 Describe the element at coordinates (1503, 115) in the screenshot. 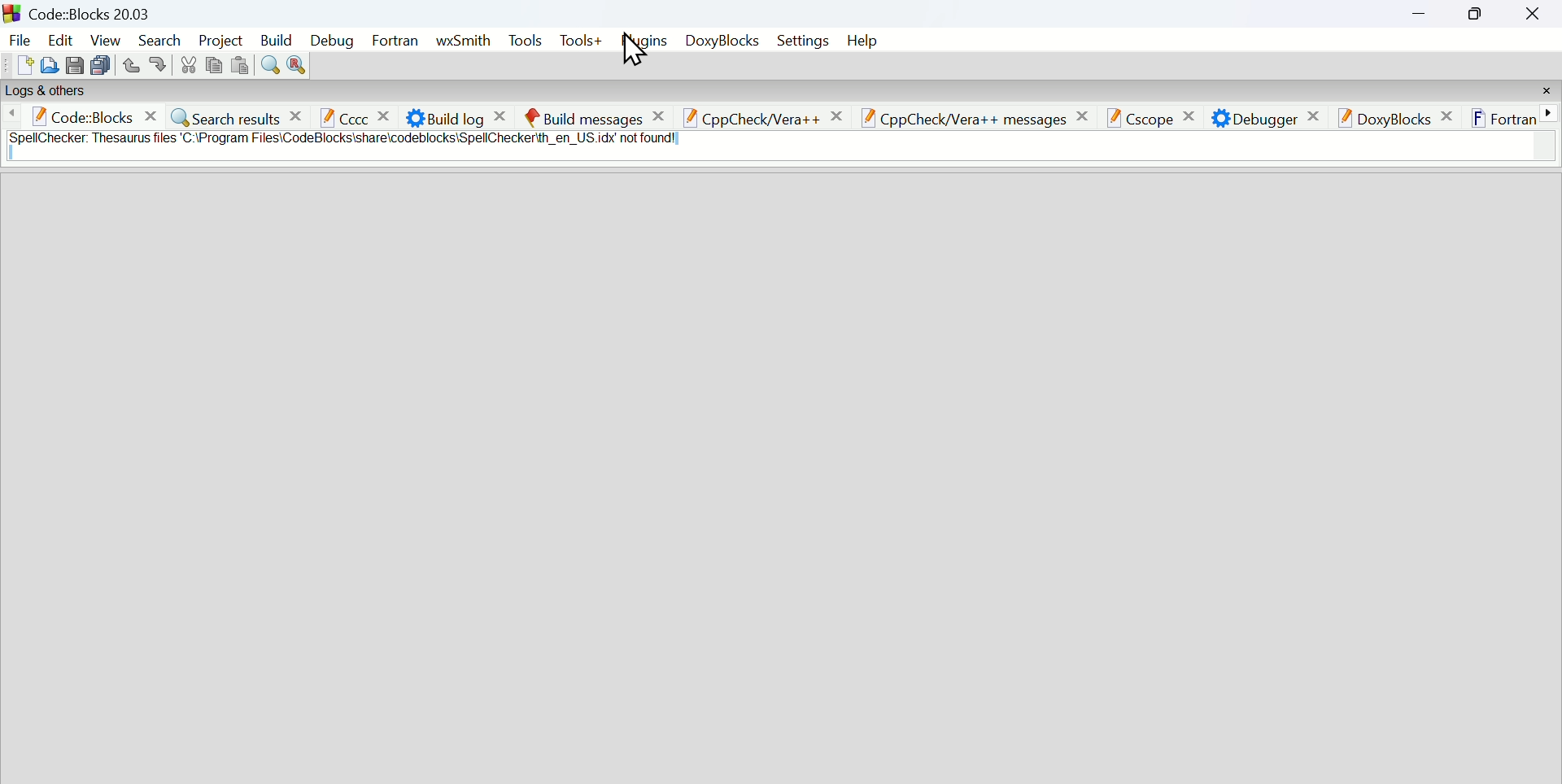

I see `Fortran` at that location.